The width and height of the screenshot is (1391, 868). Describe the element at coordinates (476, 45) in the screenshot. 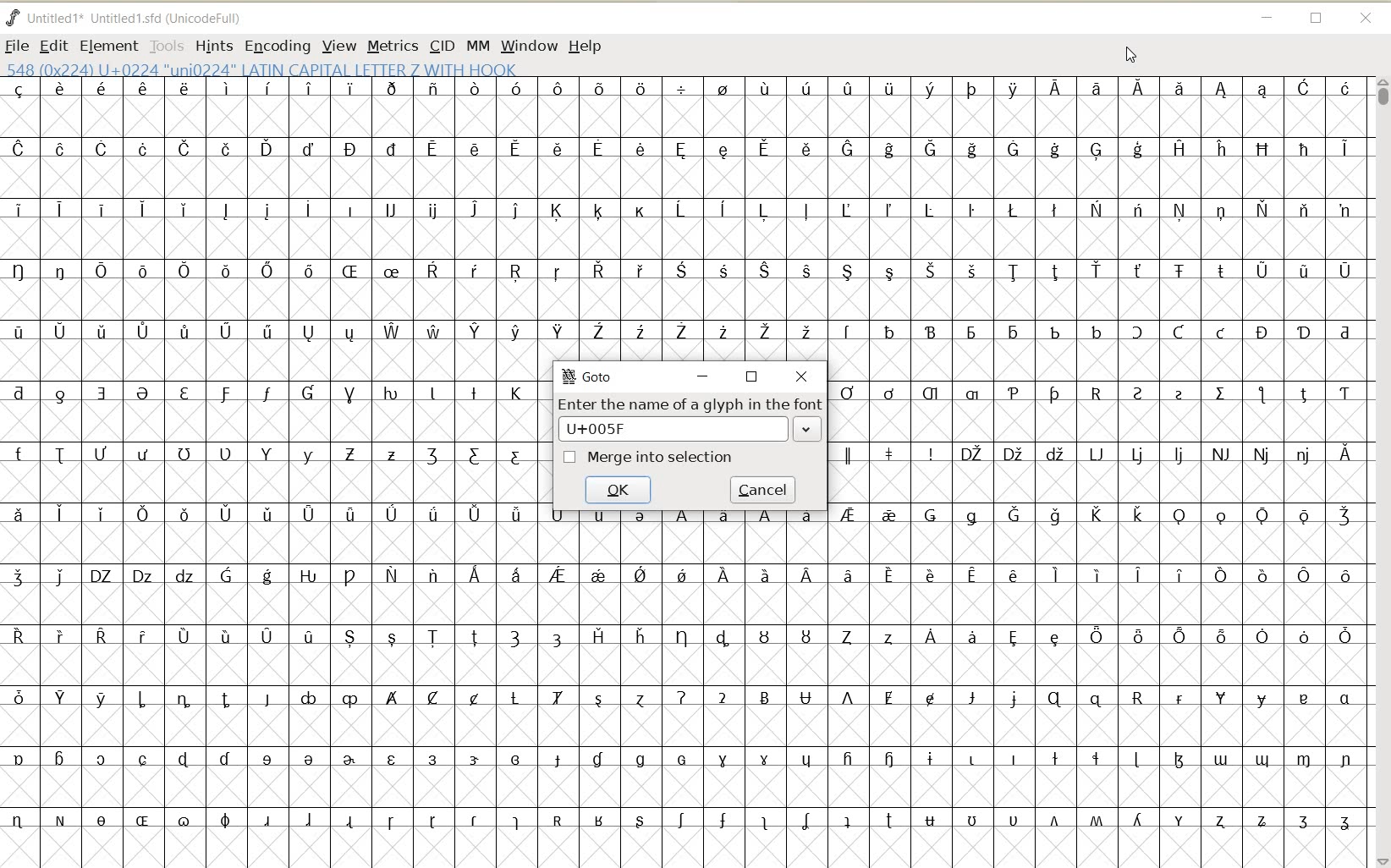

I see `MM` at that location.